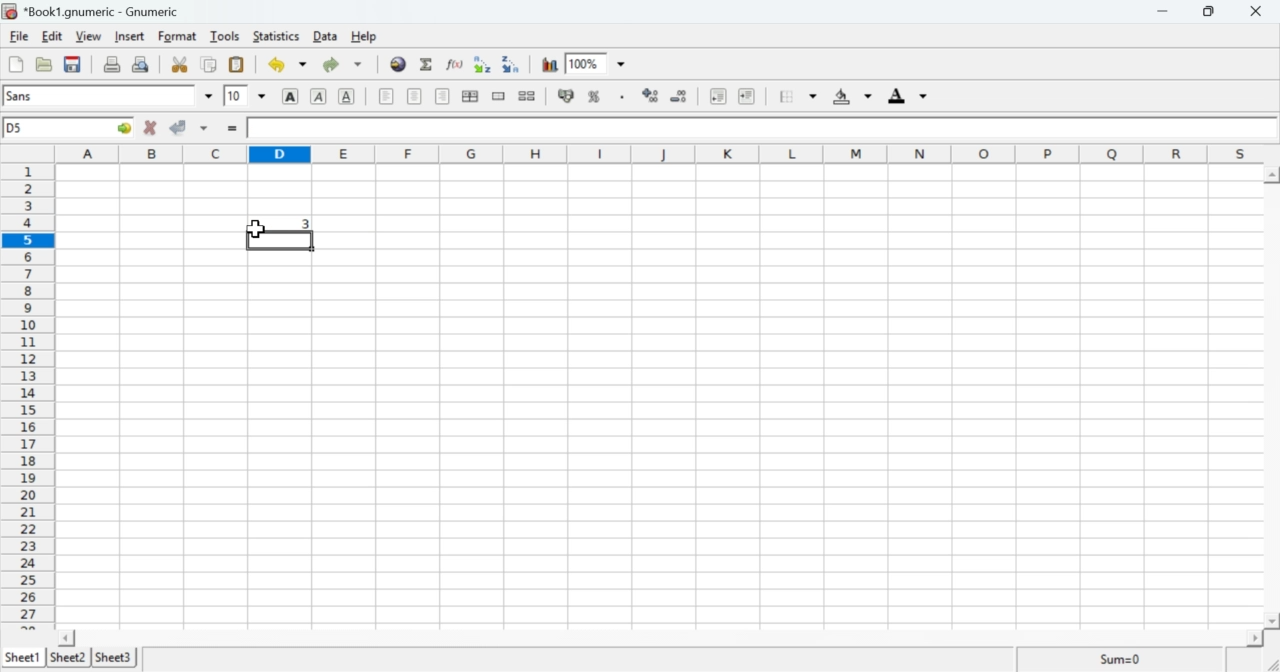 Image resolution: width=1280 pixels, height=672 pixels. I want to click on Merge cells, so click(498, 96).